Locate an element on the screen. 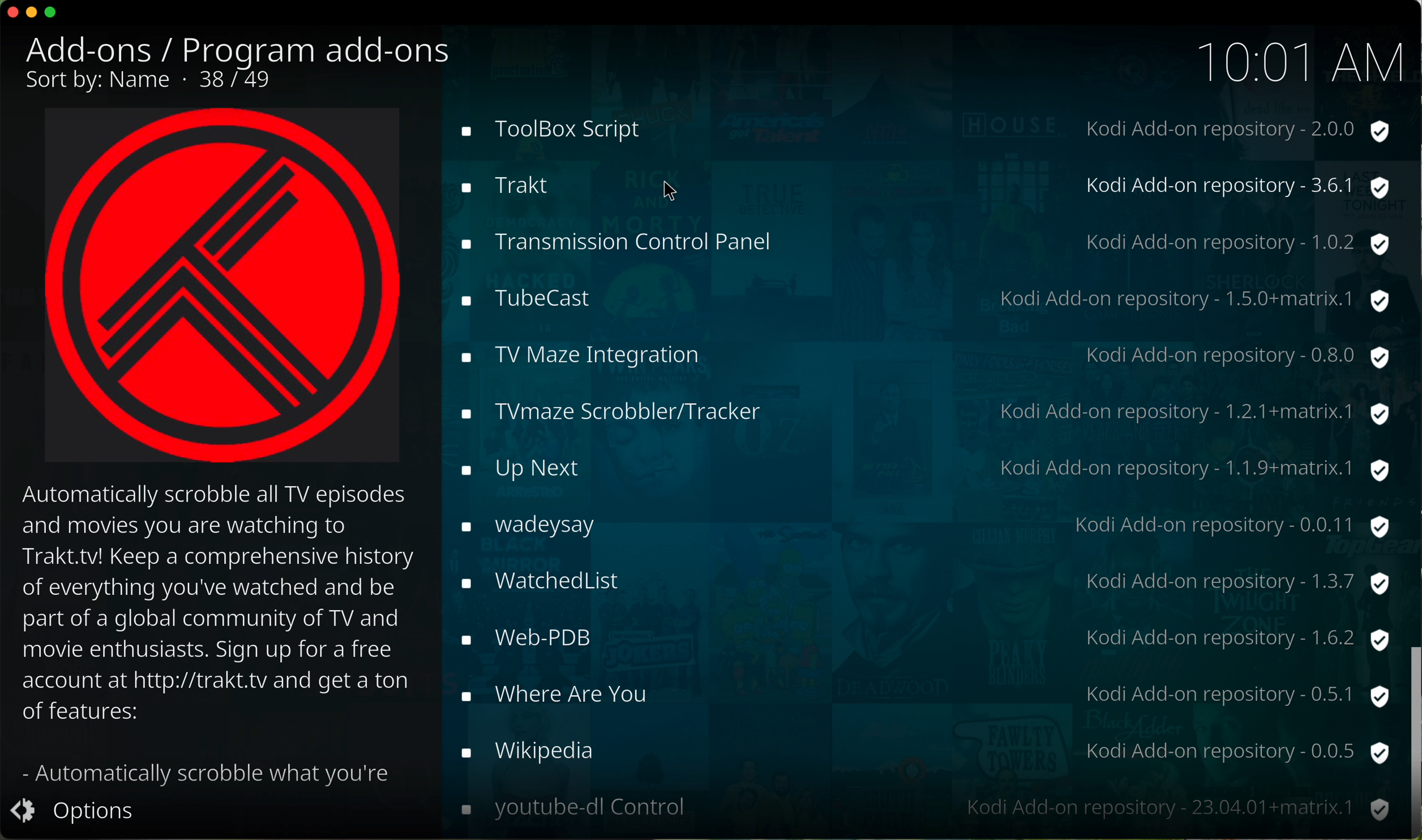 The width and height of the screenshot is (1422, 840). toolbox script is located at coordinates (923, 129).